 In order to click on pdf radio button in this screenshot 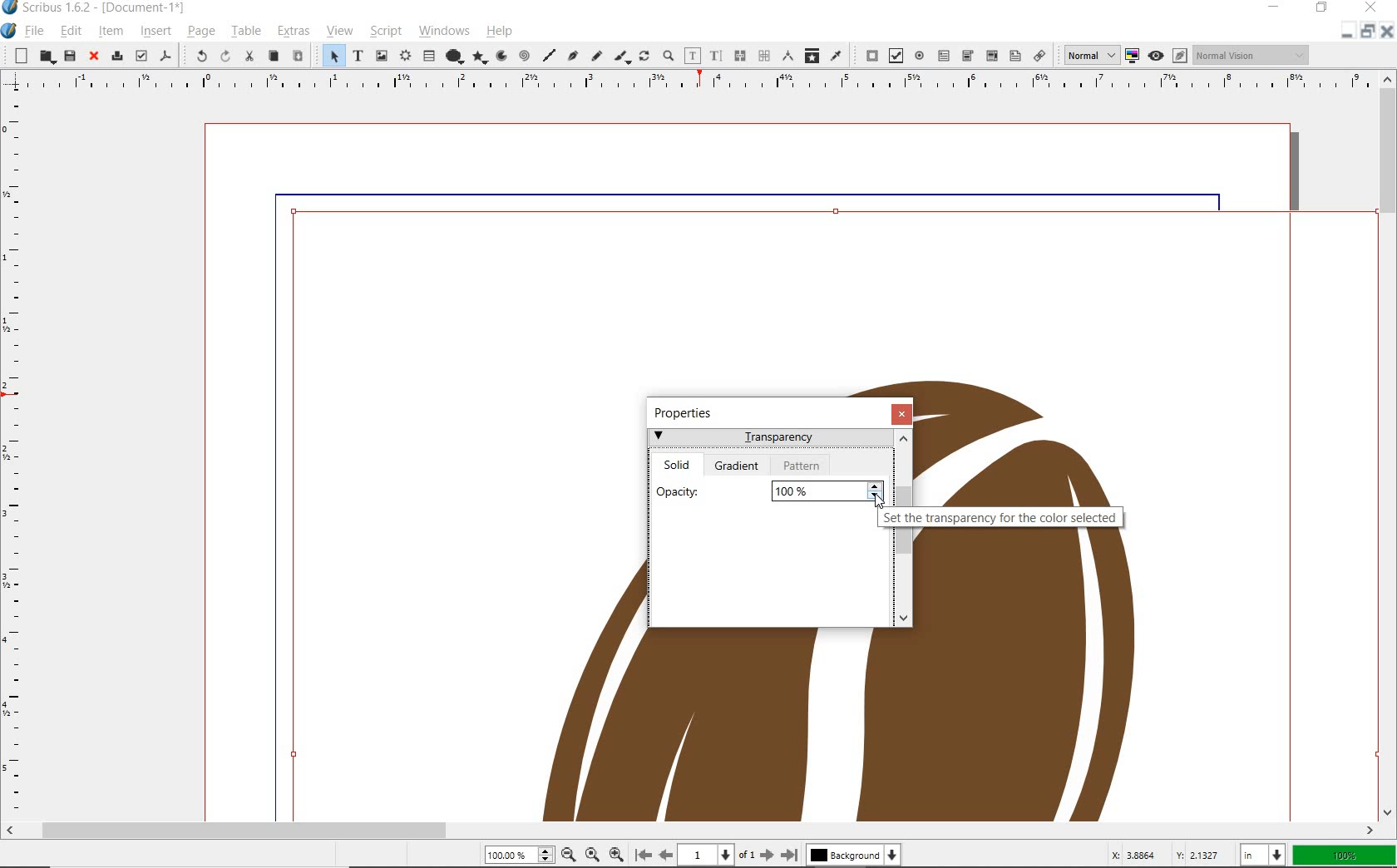, I will do `click(920, 55)`.